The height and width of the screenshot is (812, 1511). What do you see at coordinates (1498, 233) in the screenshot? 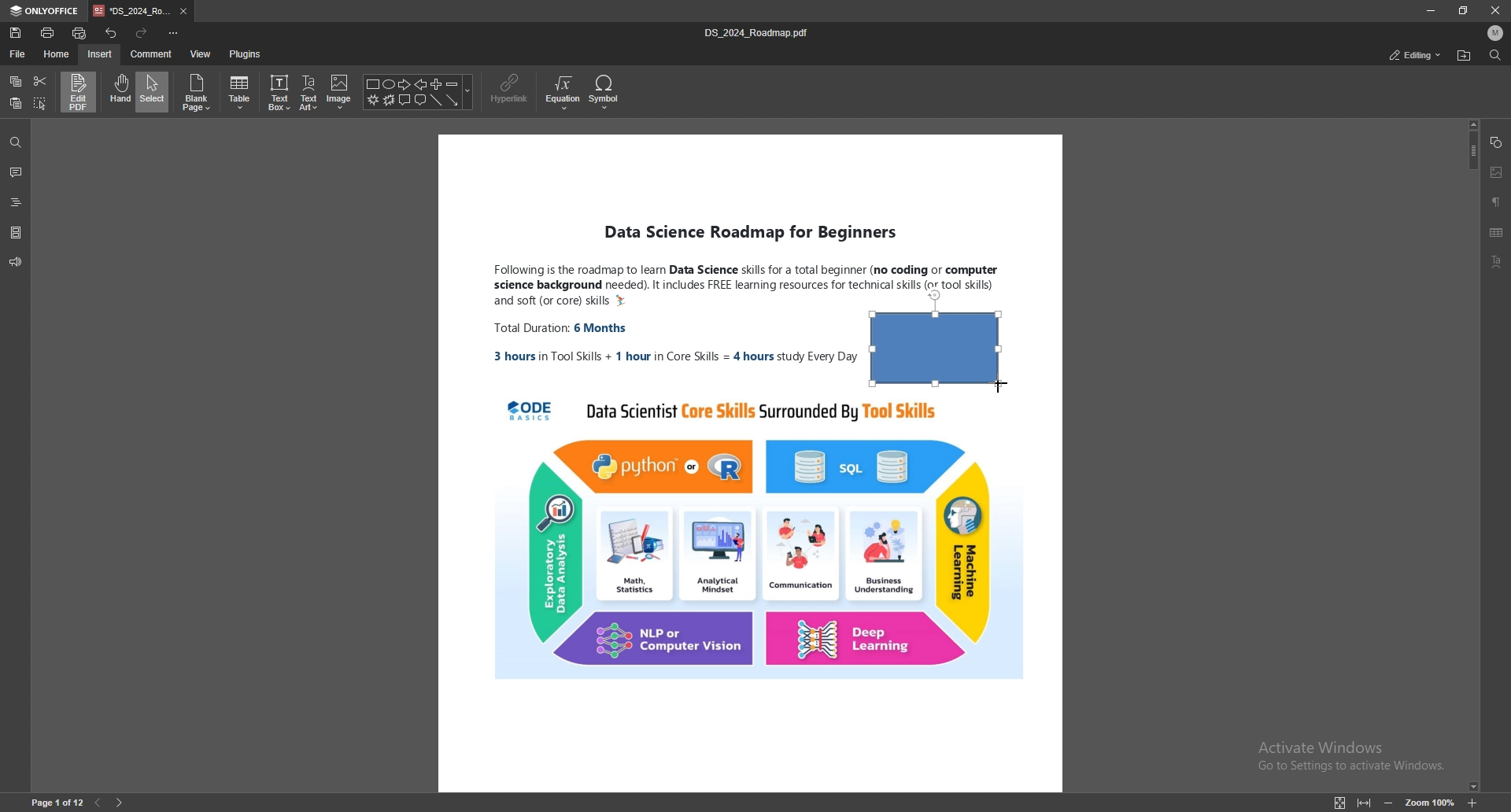
I see `table` at bounding box center [1498, 233].